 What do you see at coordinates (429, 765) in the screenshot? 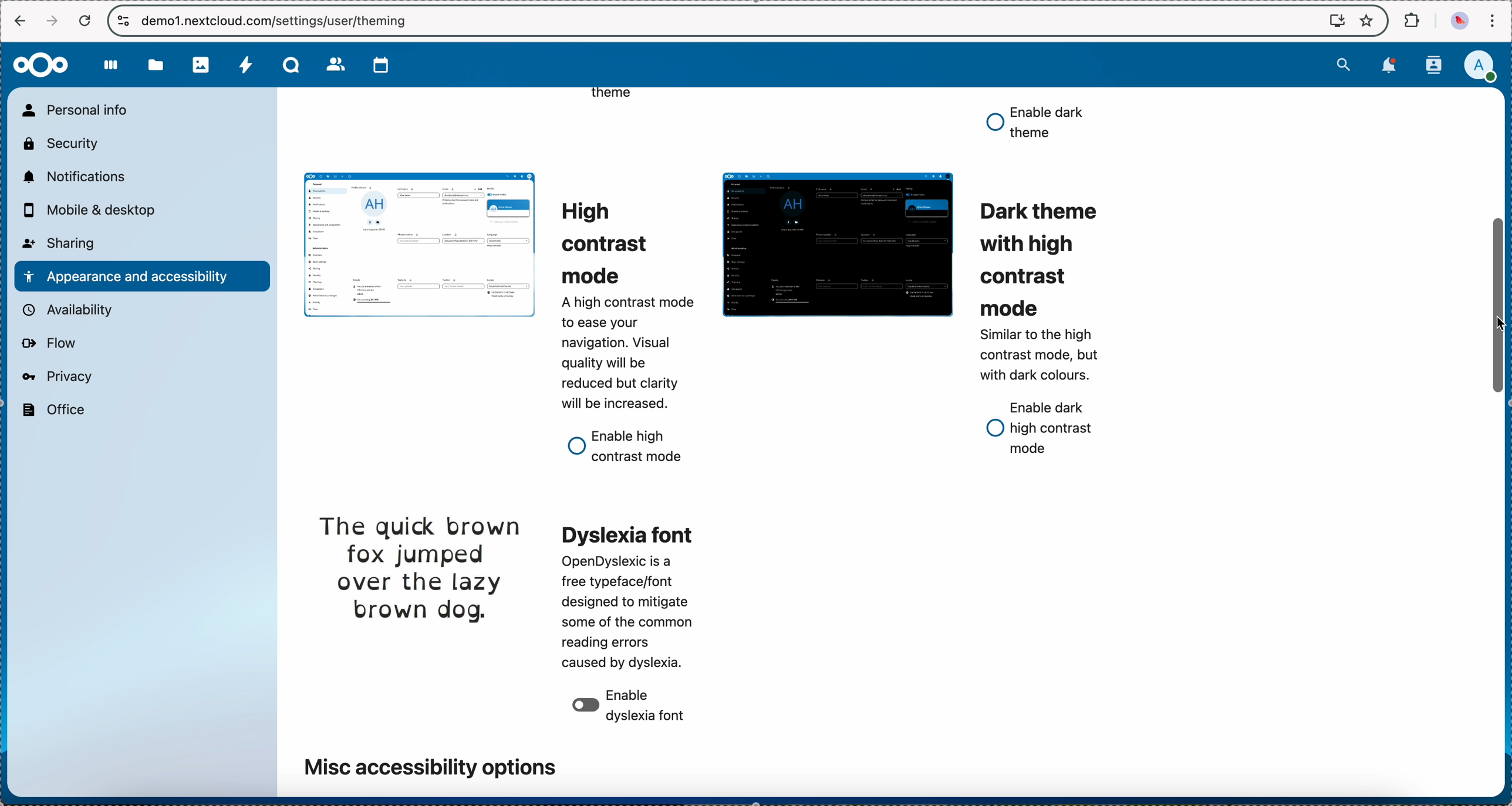
I see `misc accessibility options` at bounding box center [429, 765].